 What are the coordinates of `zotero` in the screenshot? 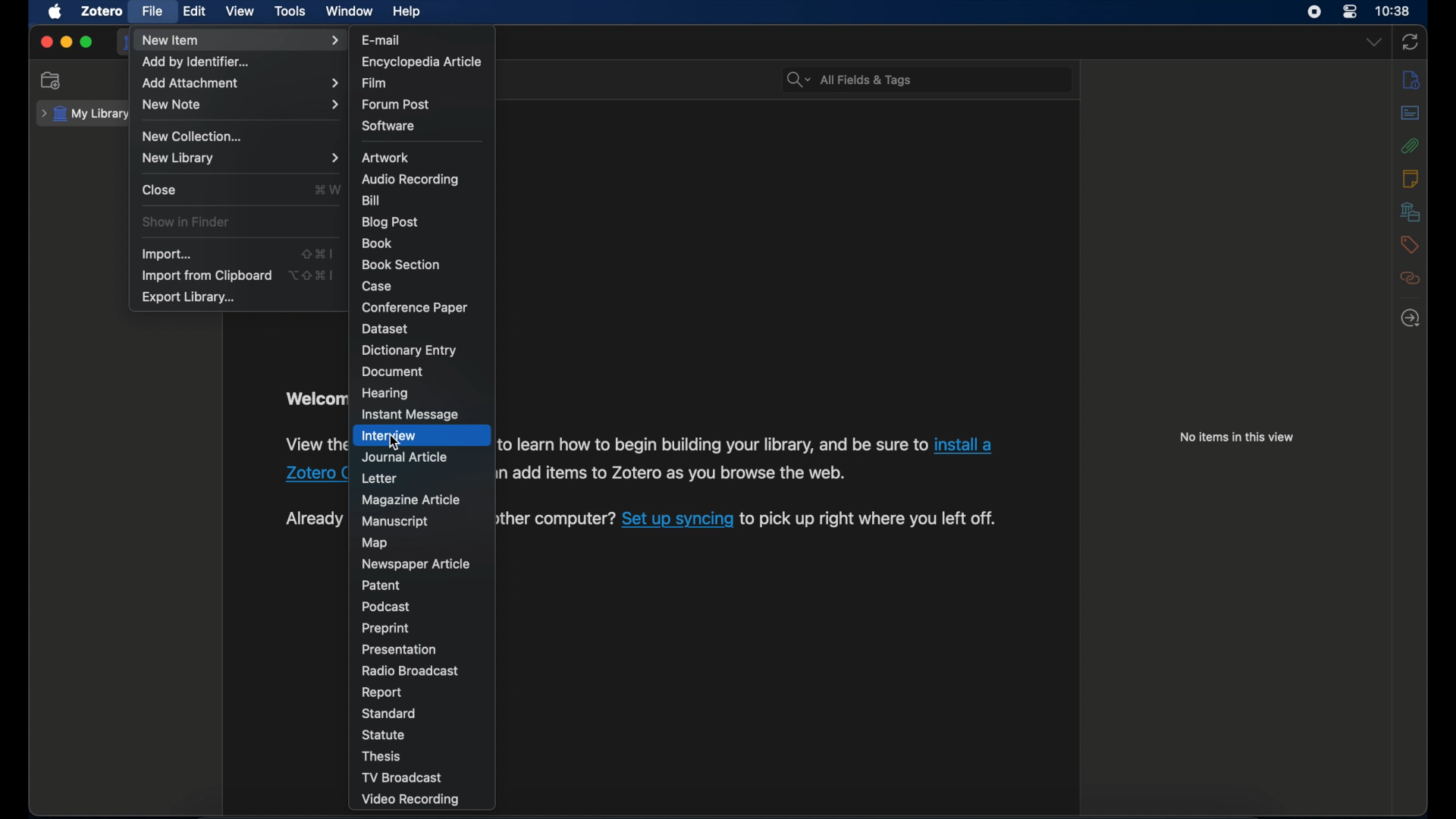 It's located at (104, 11).